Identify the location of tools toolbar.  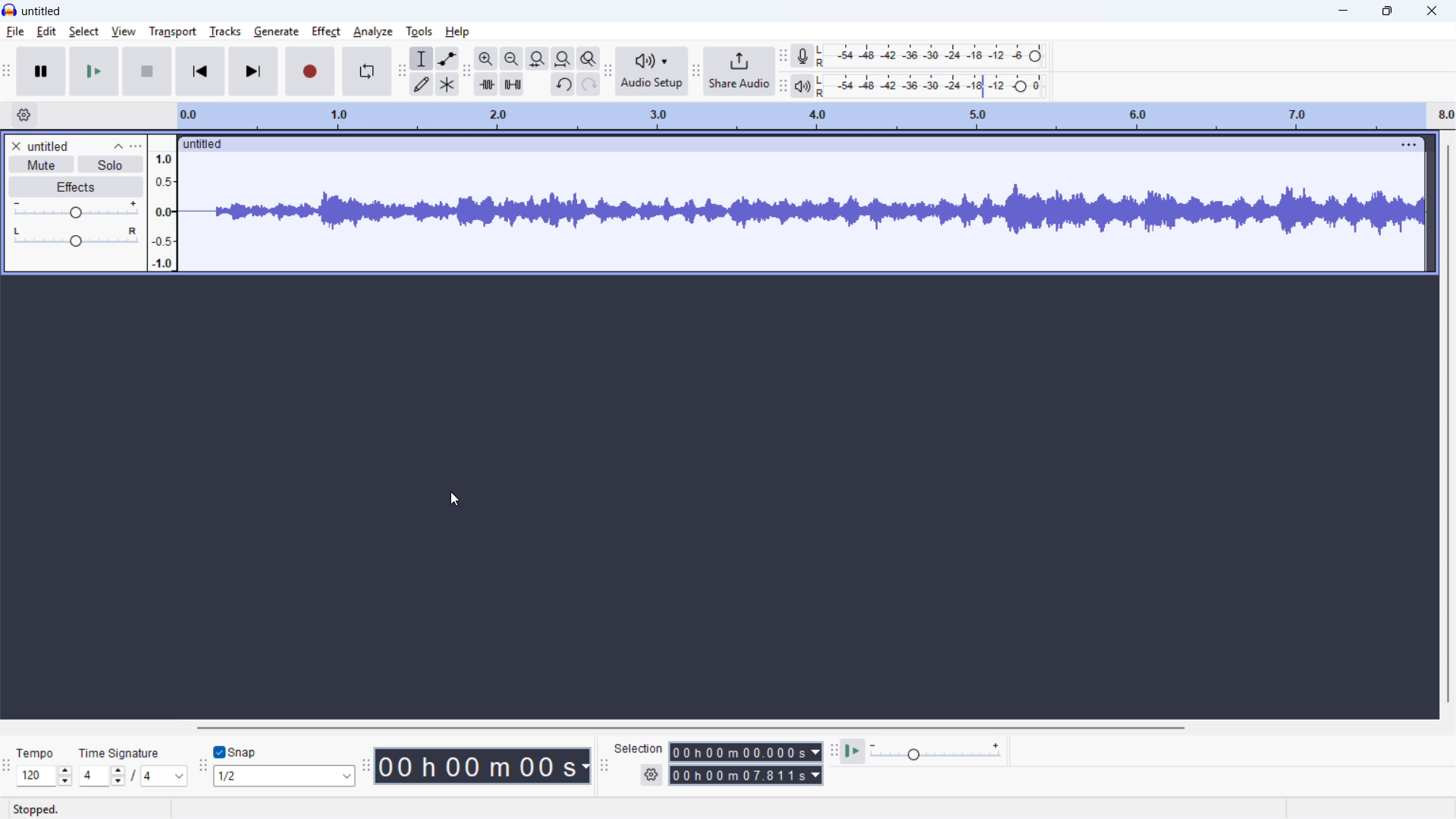
(402, 73).